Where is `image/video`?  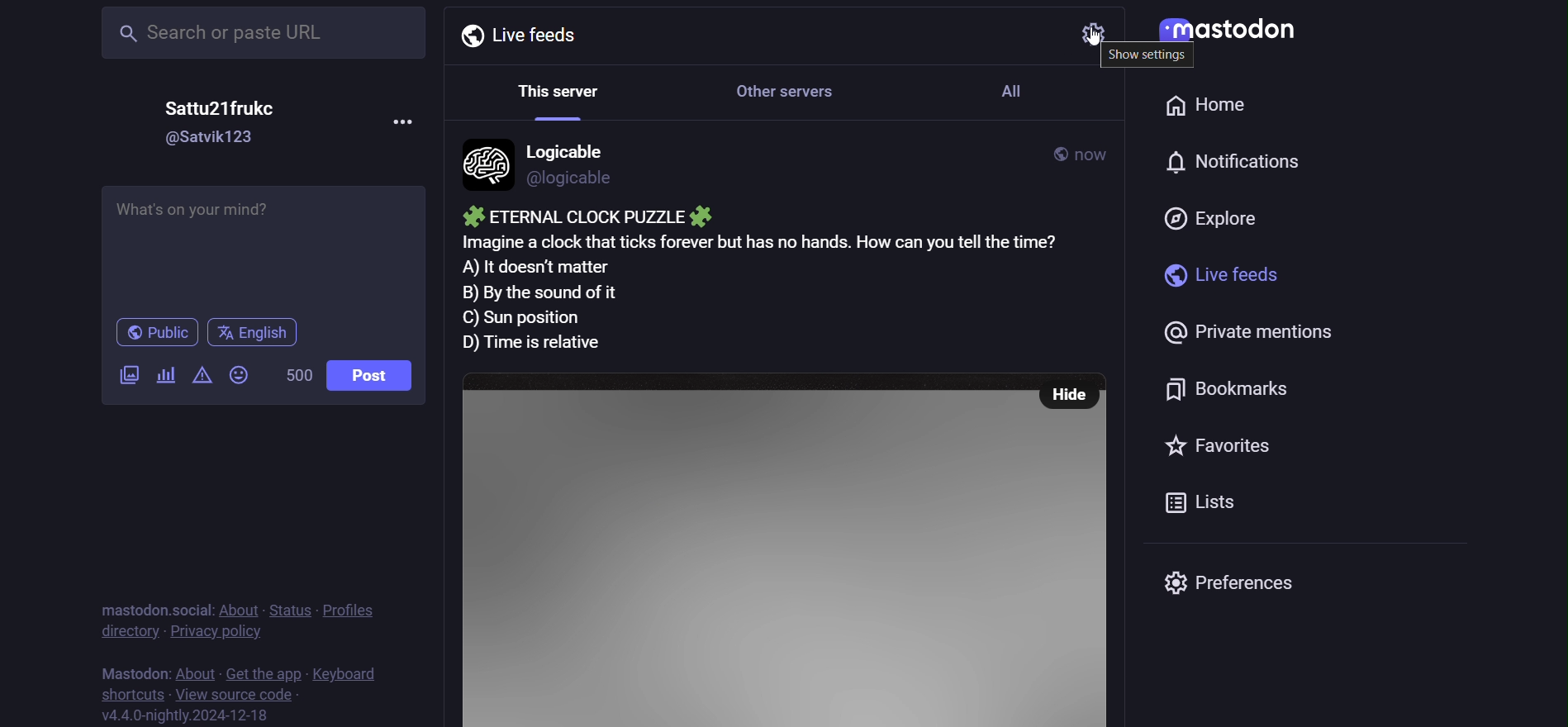
image/video is located at coordinates (126, 375).